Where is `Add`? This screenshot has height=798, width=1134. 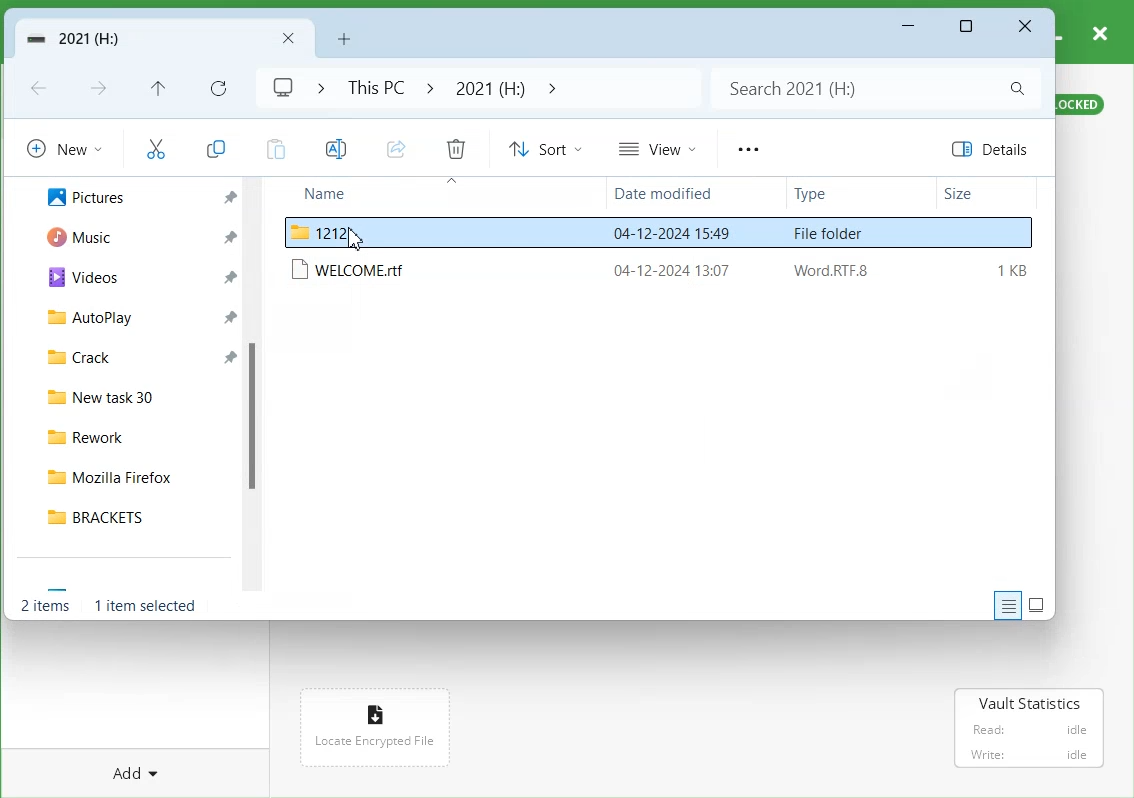 Add is located at coordinates (130, 772).